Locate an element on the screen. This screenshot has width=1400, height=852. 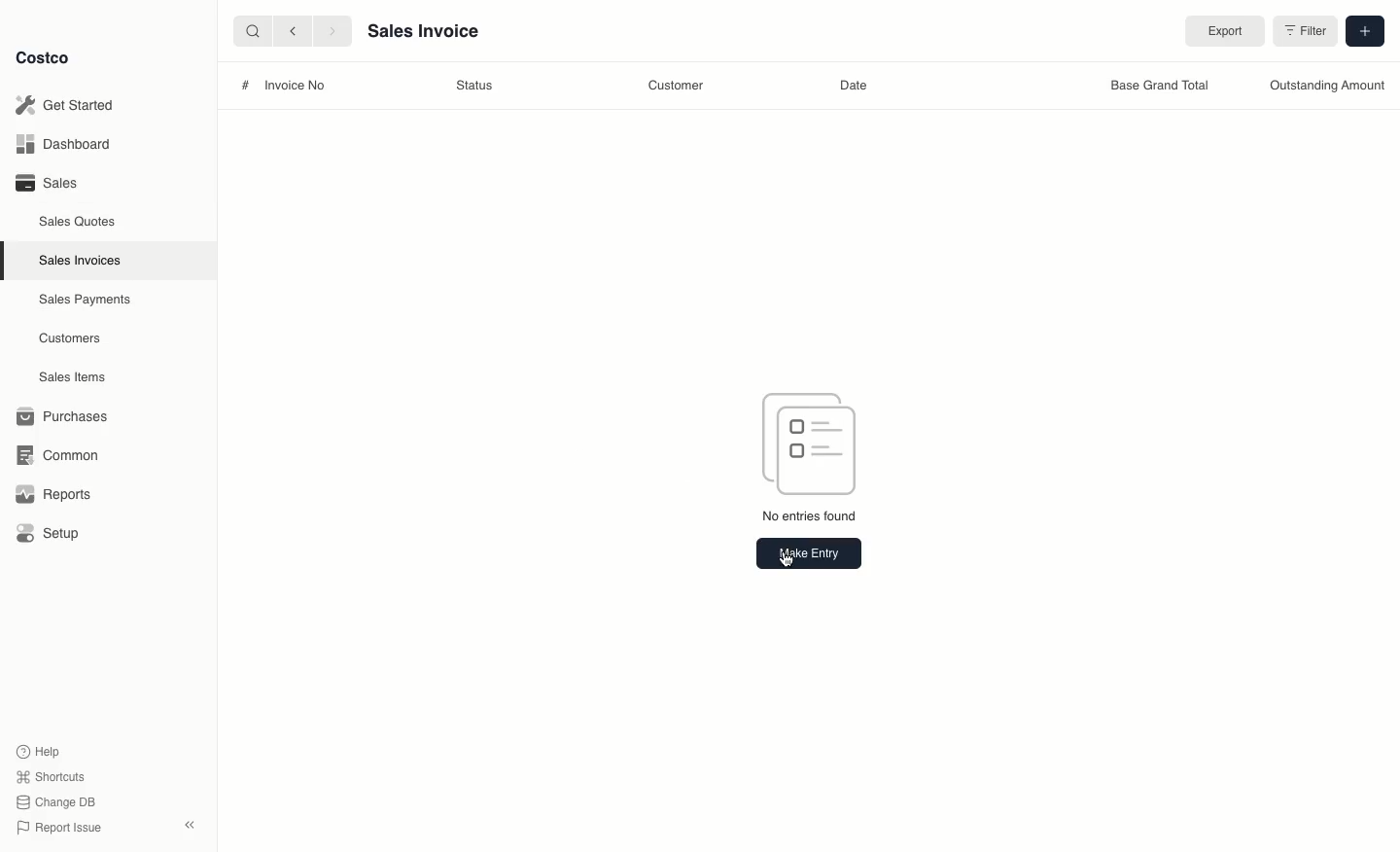
Help is located at coordinates (40, 750).